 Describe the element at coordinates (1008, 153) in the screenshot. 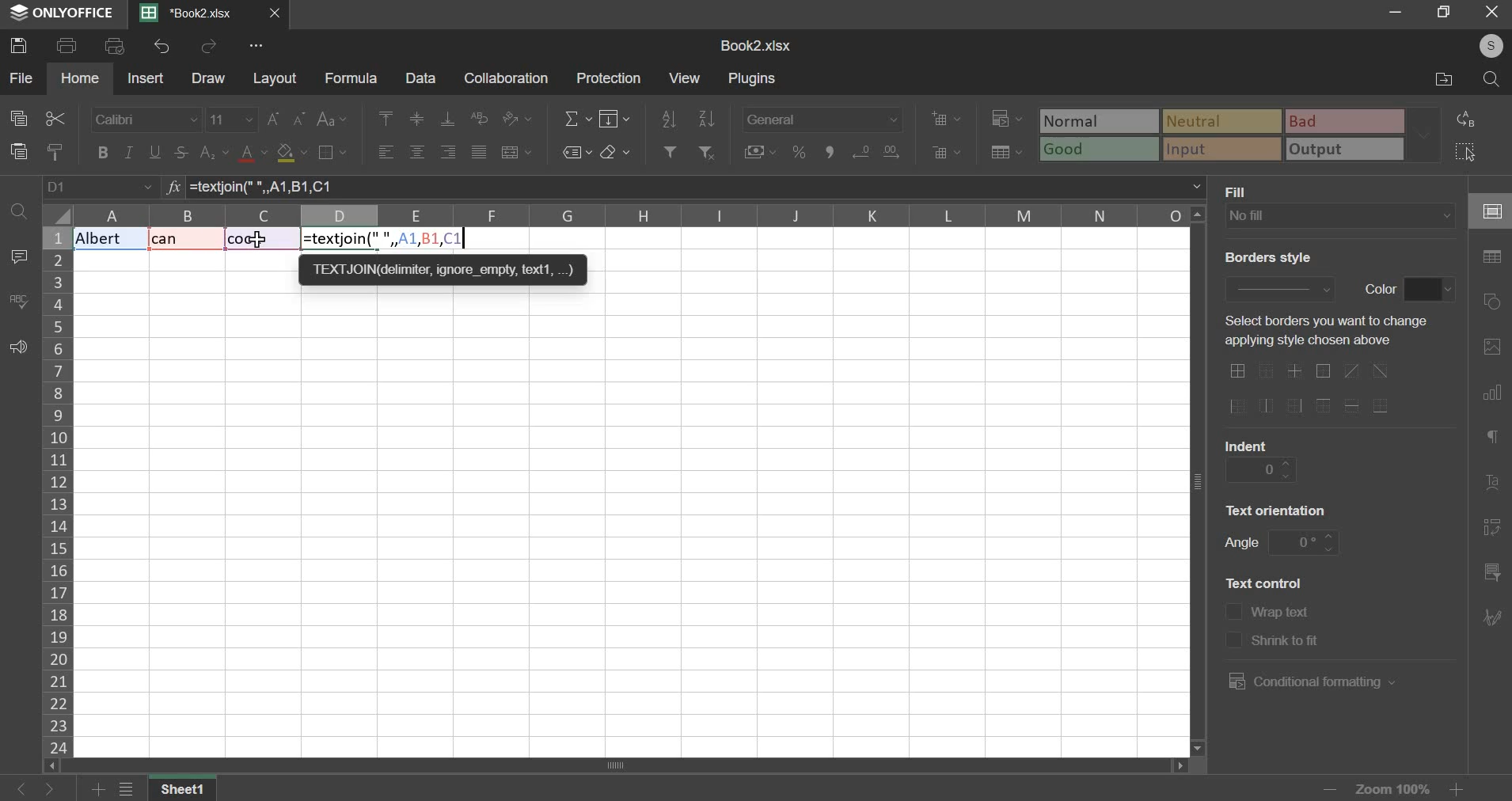

I see `save as table` at that location.